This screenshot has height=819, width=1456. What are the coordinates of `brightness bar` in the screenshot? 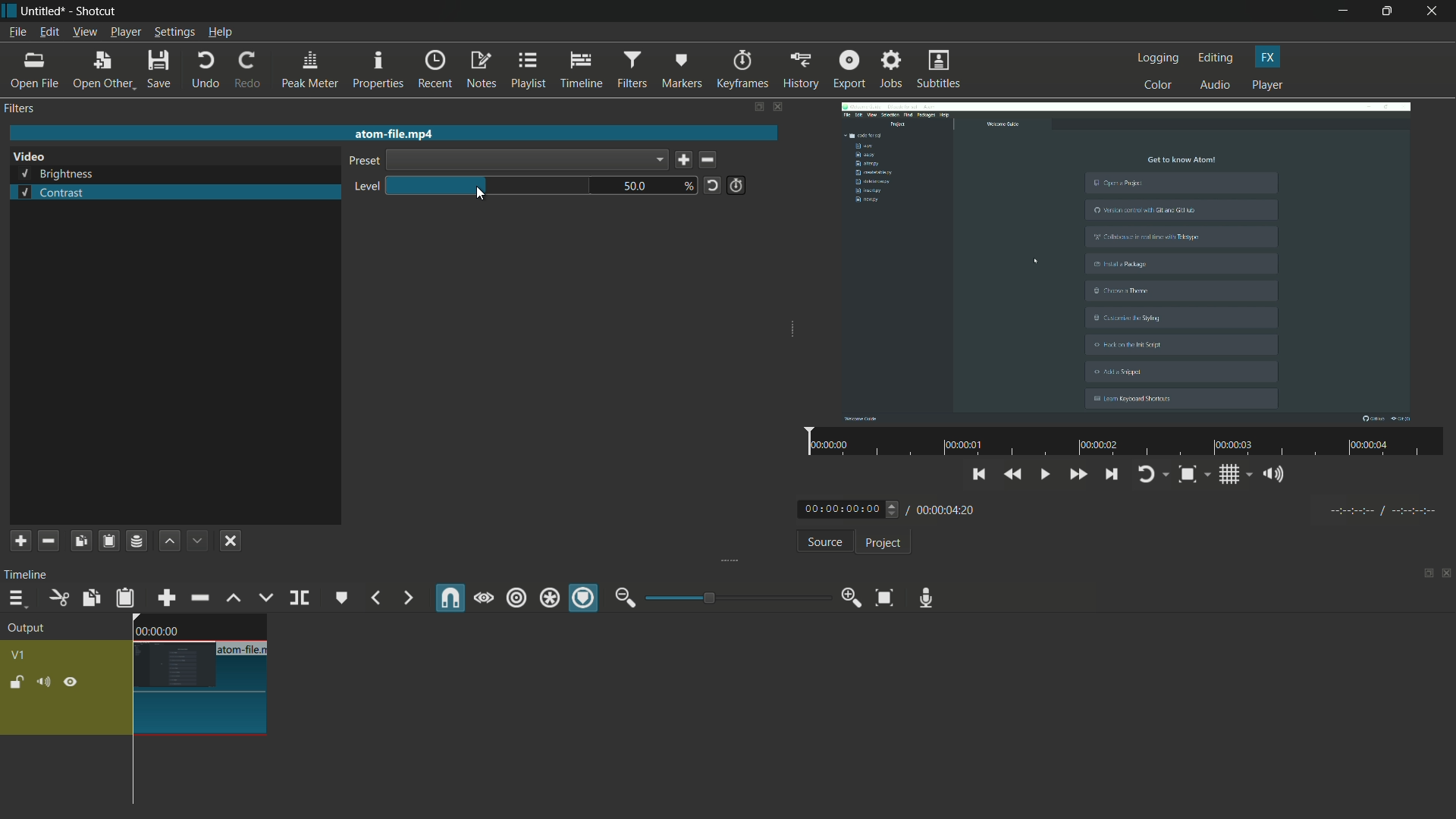 It's located at (490, 185).